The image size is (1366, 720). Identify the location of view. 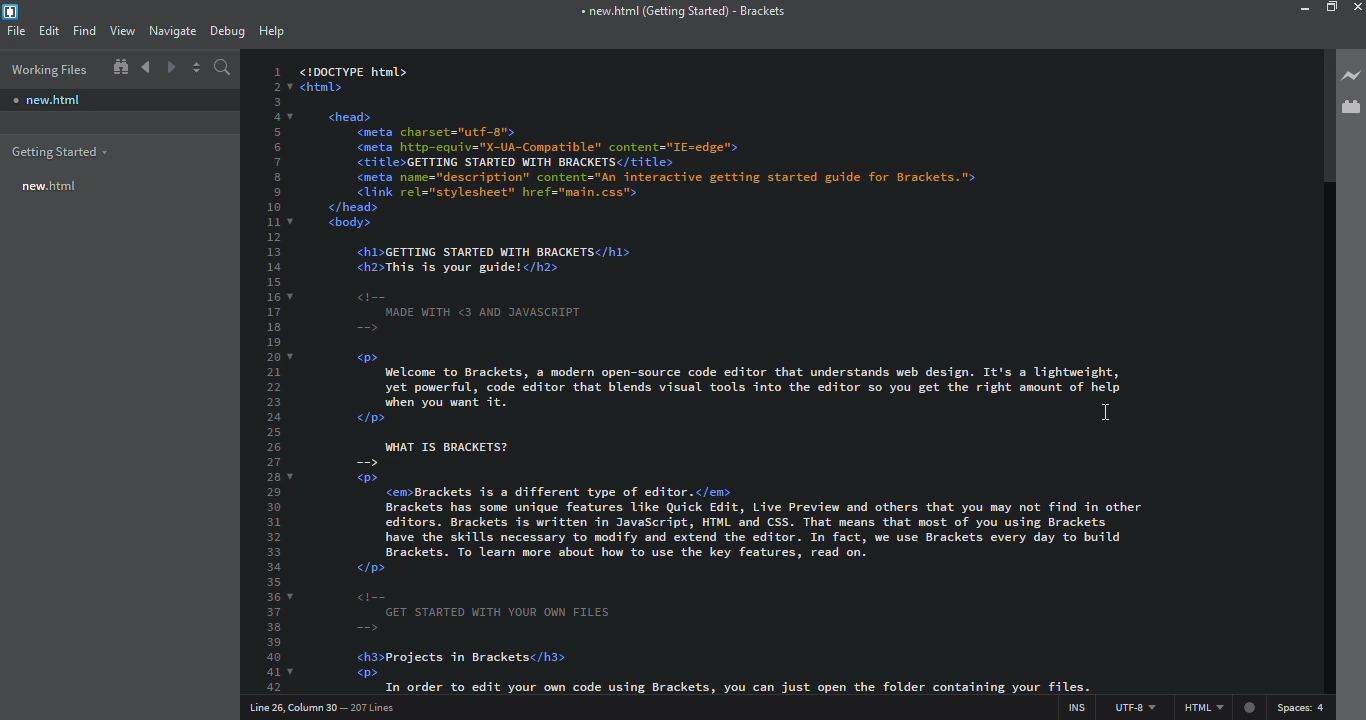
(122, 30).